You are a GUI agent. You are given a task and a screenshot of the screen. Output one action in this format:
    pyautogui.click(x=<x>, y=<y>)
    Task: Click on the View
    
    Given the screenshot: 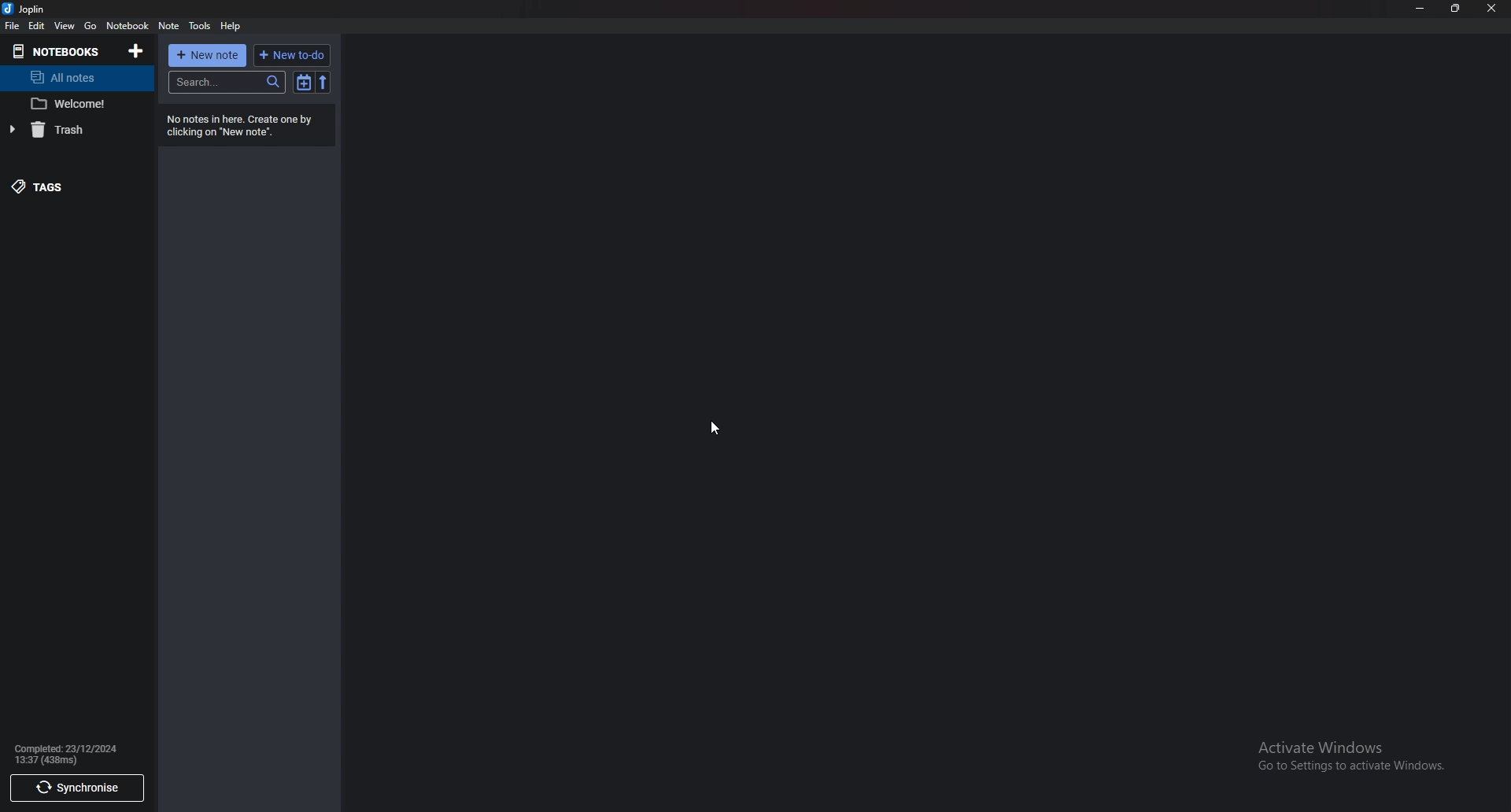 What is the action you would take?
    pyautogui.click(x=63, y=27)
    